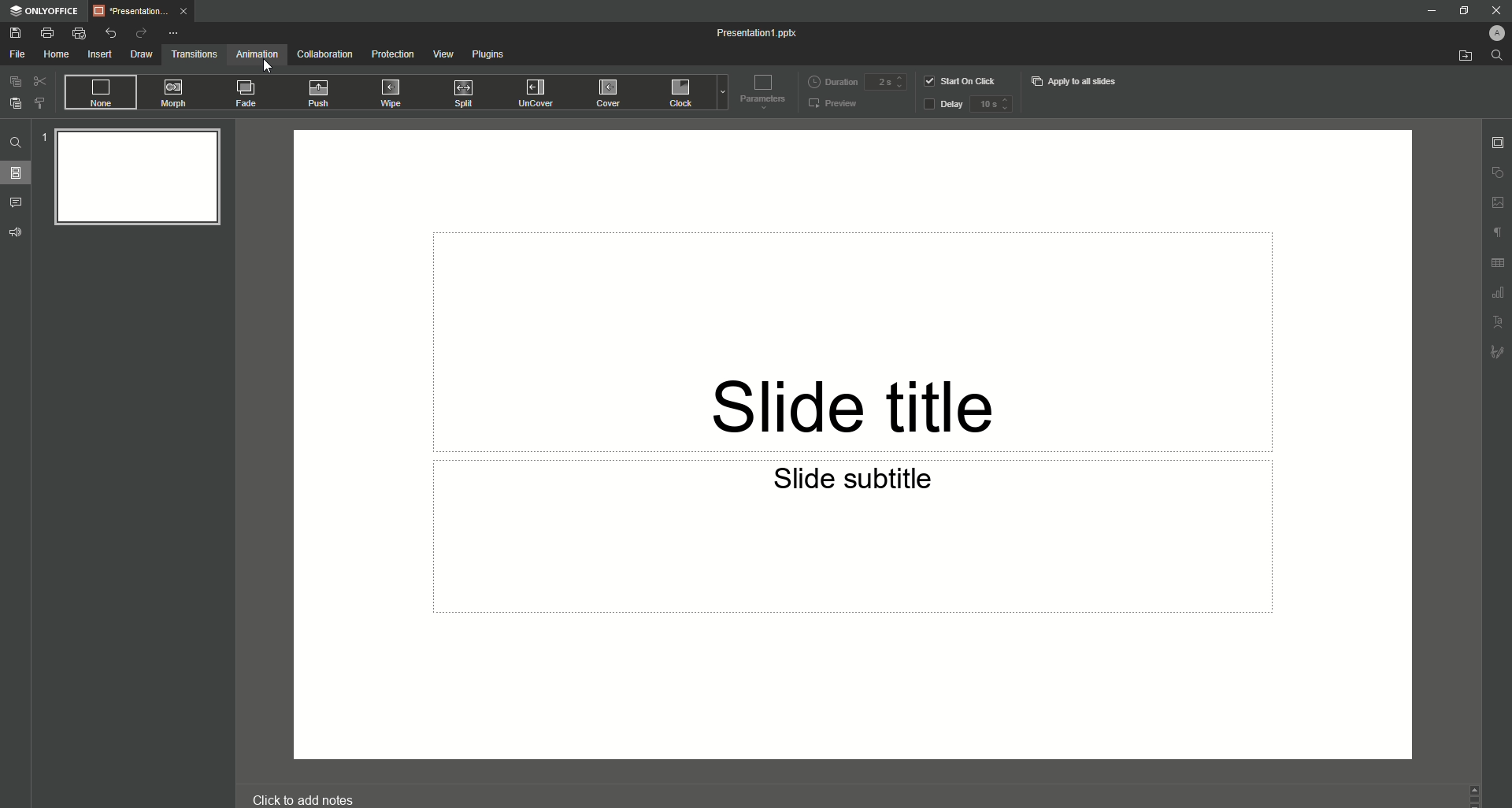 This screenshot has width=1512, height=808. What do you see at coordinates (254, 56) in the screenshot?
I see `Animation` at bounding box center [254, 56].